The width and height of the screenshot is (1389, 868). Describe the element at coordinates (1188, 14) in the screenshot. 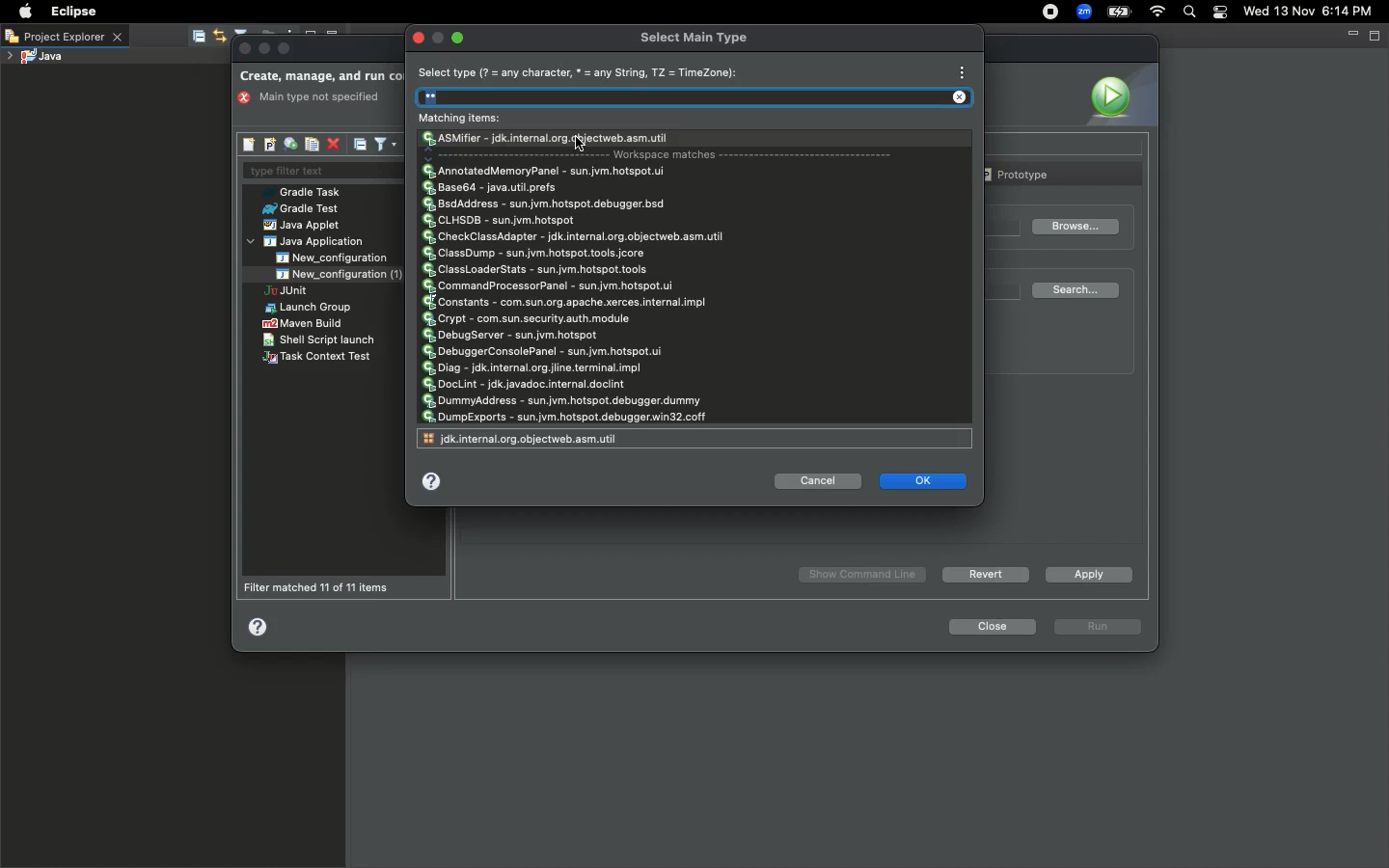

I see `Search` at that location.